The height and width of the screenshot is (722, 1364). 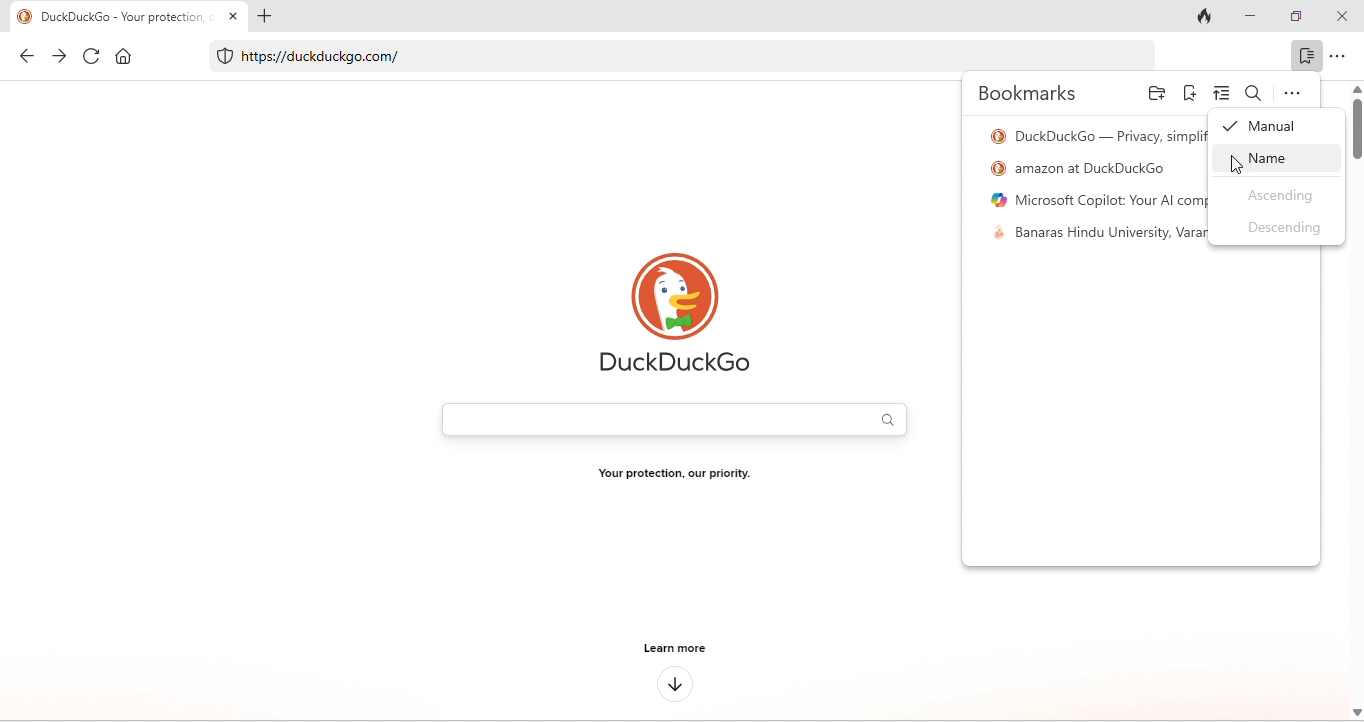 I want to click on back, so click(x=26, y=55).